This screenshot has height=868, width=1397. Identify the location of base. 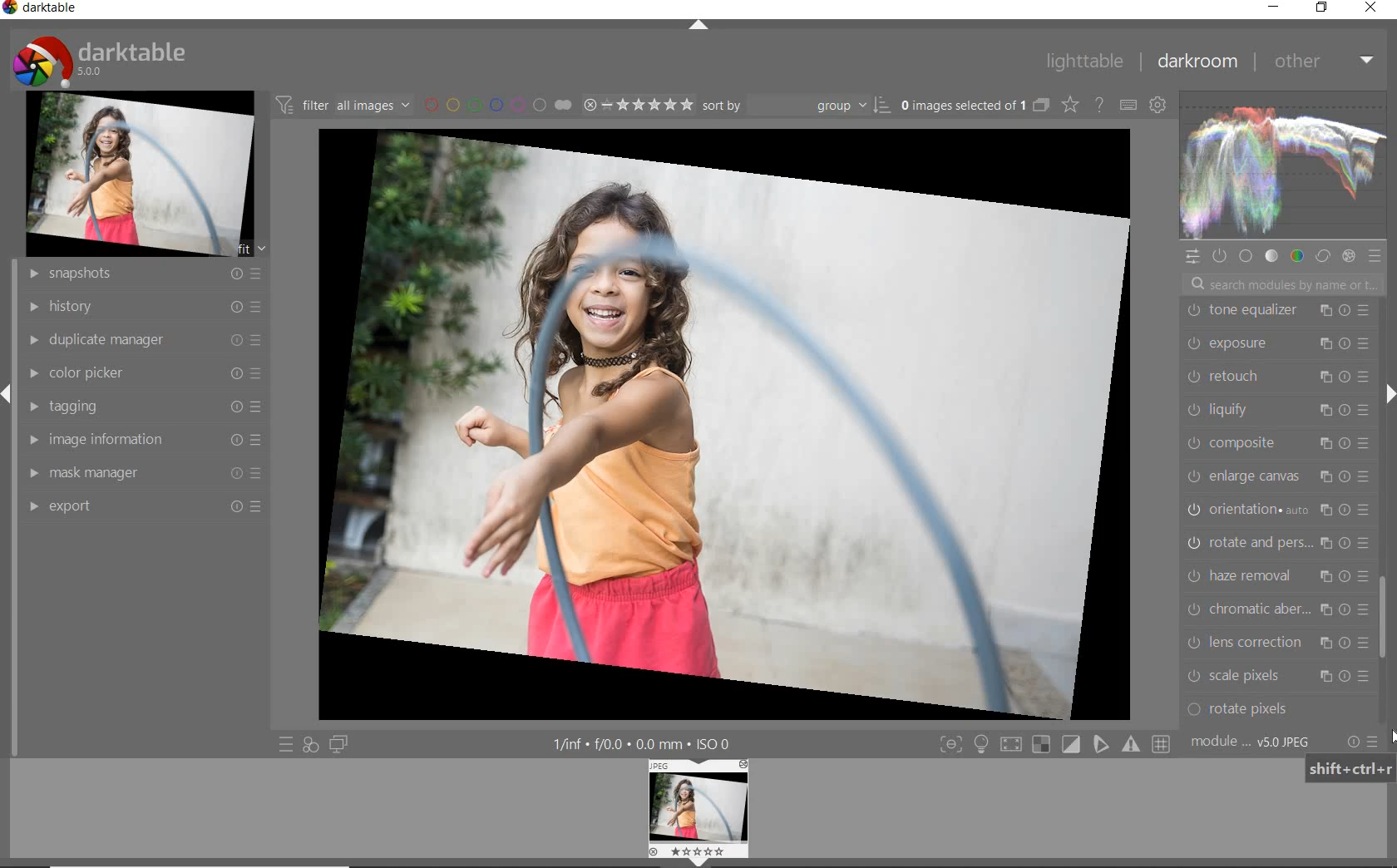
(1246, 257).